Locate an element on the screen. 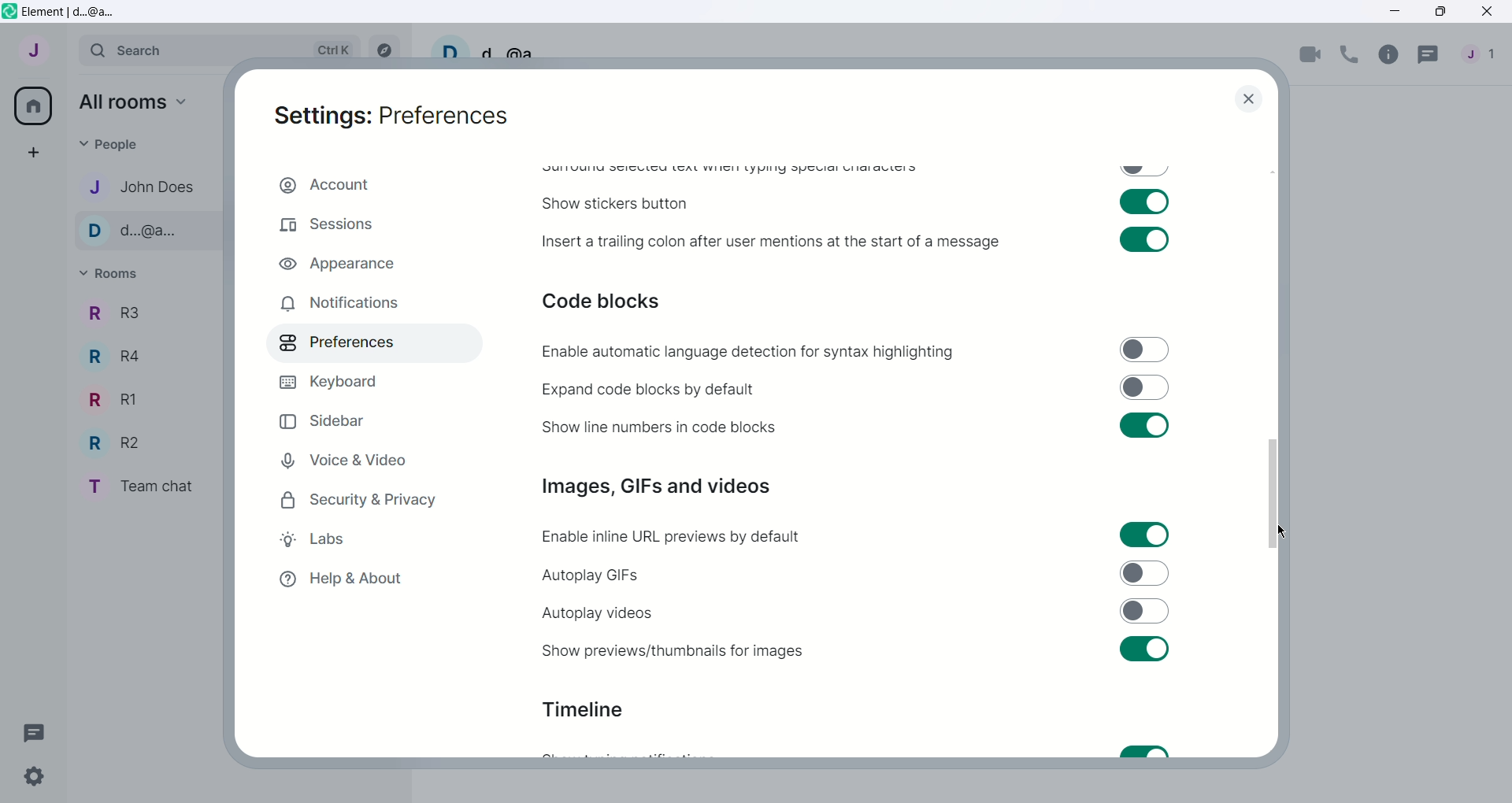 This screenshot has height=803, width=1512. Timeline is located at coordinates (584, 709).